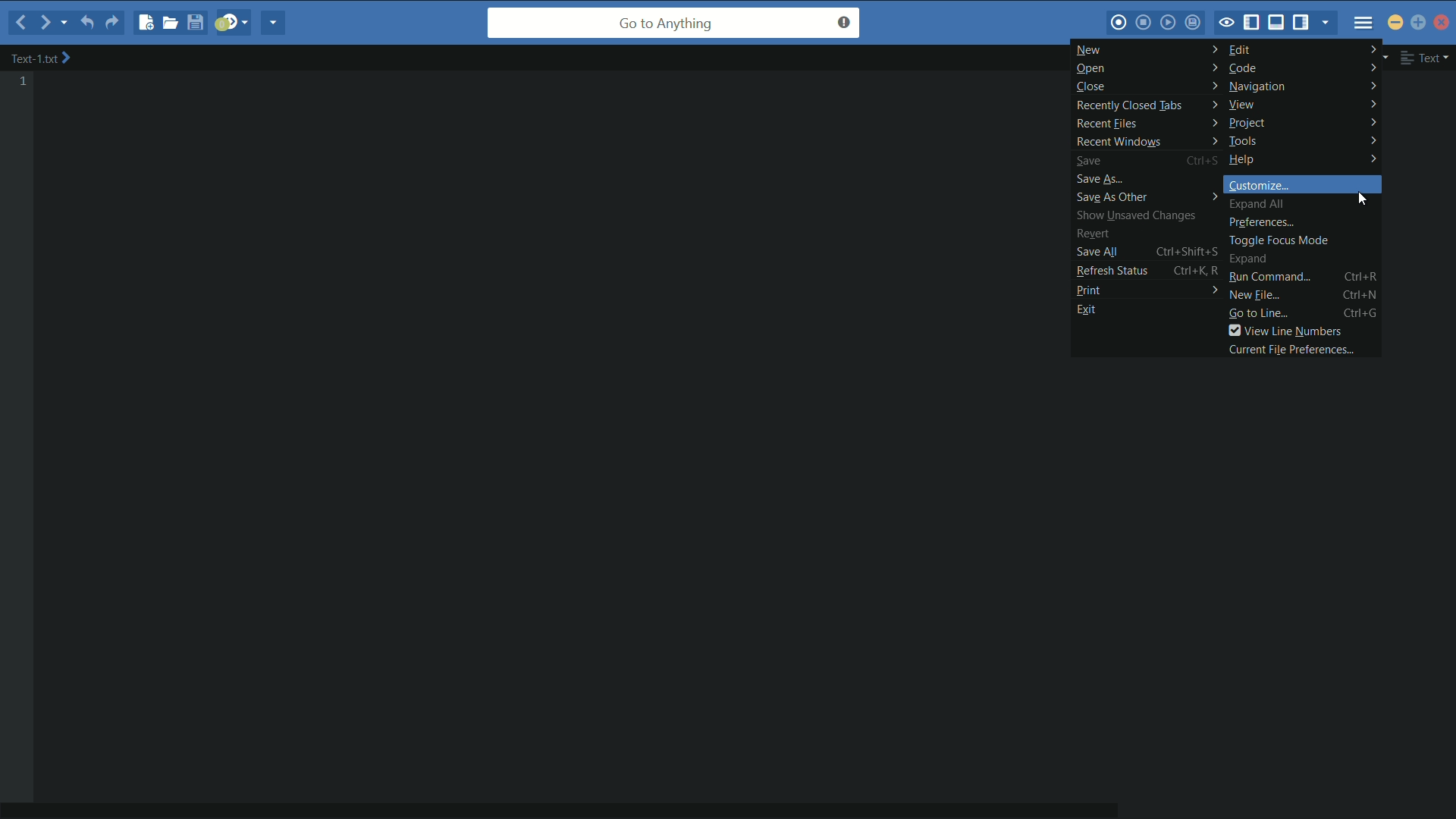 Image resolution: width=1456 pixels, height=819 pixels. I want to click on jump to next syntax checking result, so click(234, 23).